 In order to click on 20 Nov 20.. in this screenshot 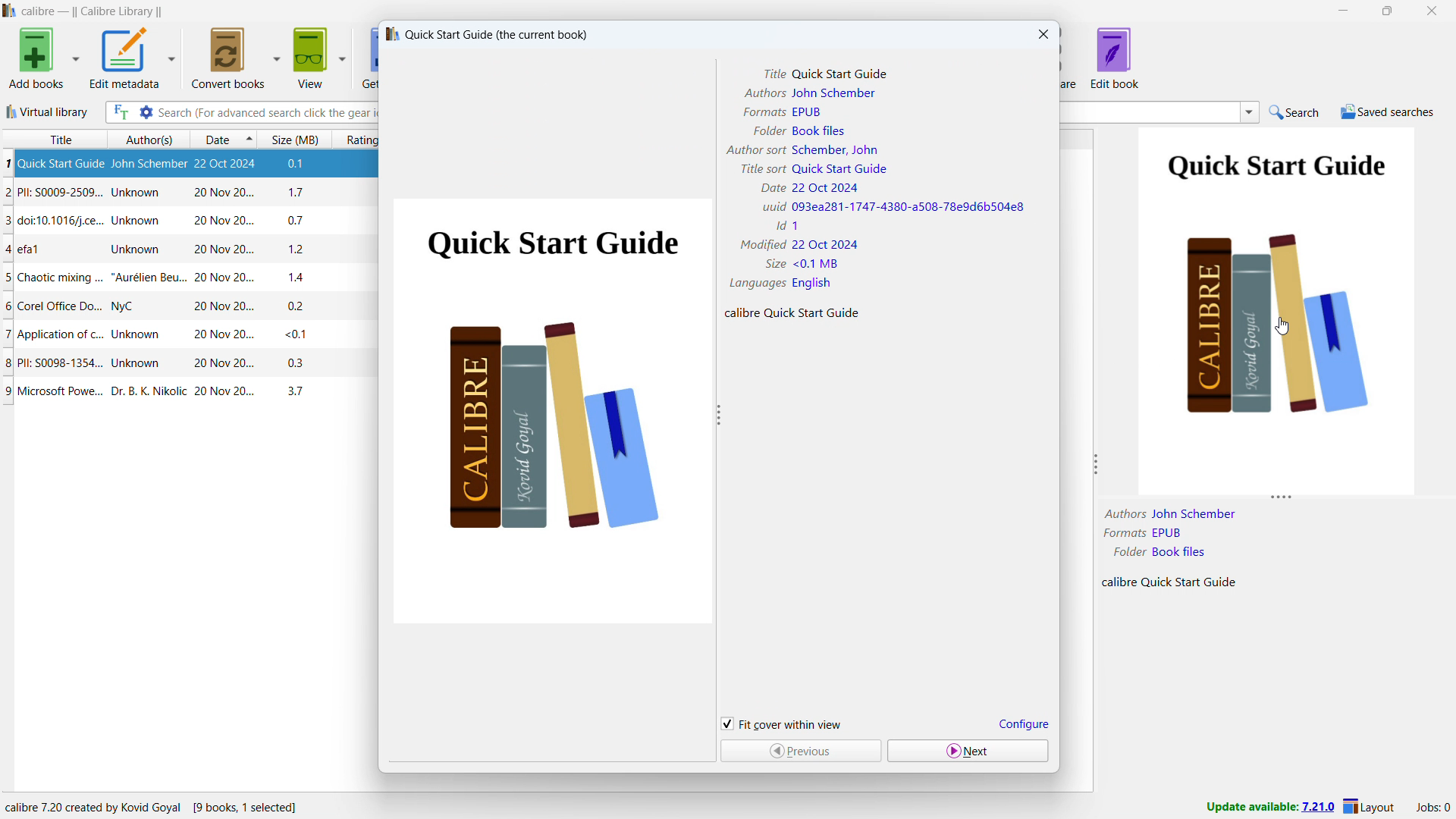, I will do `click(224, 193)`.